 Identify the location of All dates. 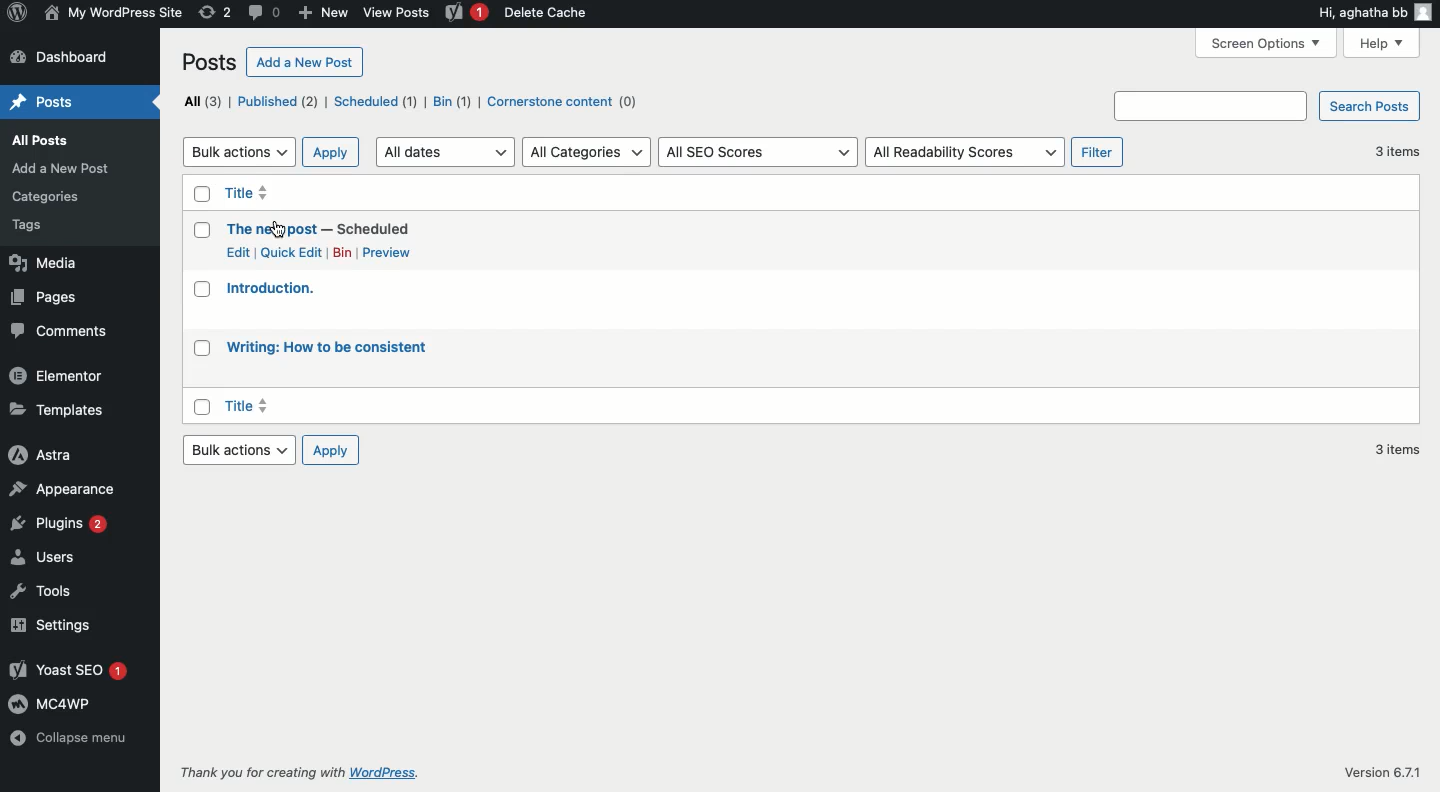
(444, 151).